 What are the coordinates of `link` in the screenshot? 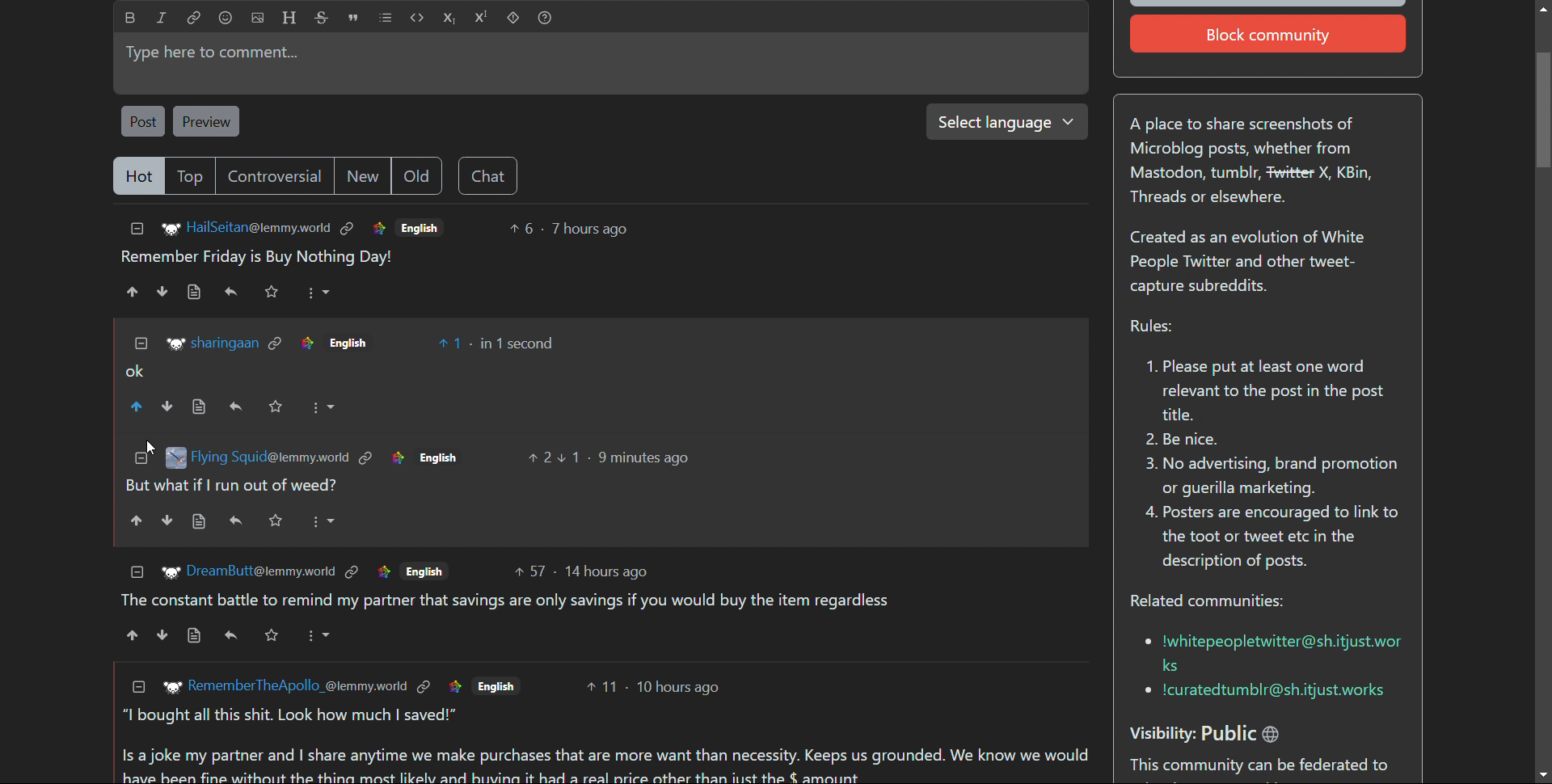 It's located at (348, 229).